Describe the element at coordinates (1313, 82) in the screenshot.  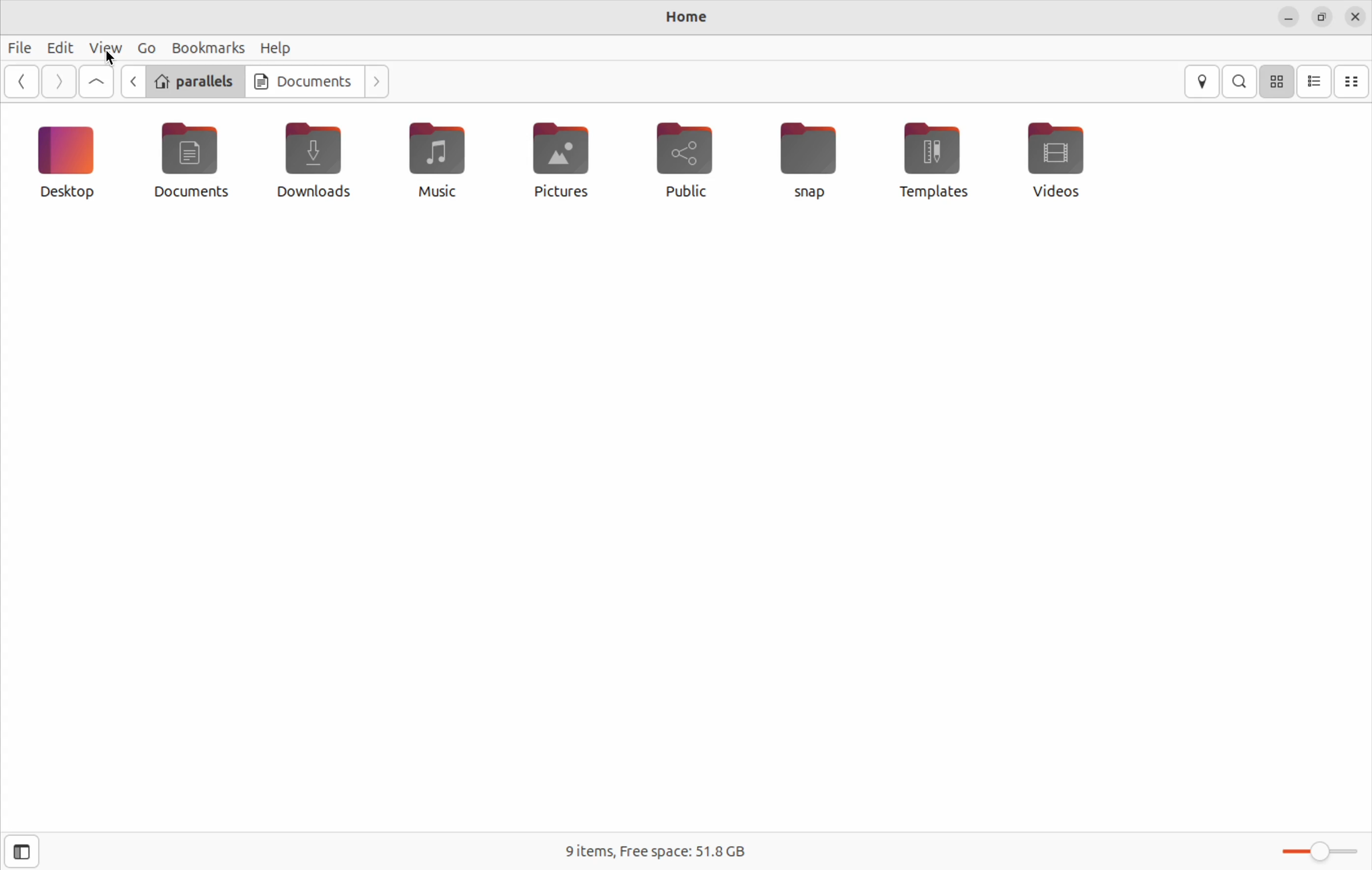
I see `list view` at that location.